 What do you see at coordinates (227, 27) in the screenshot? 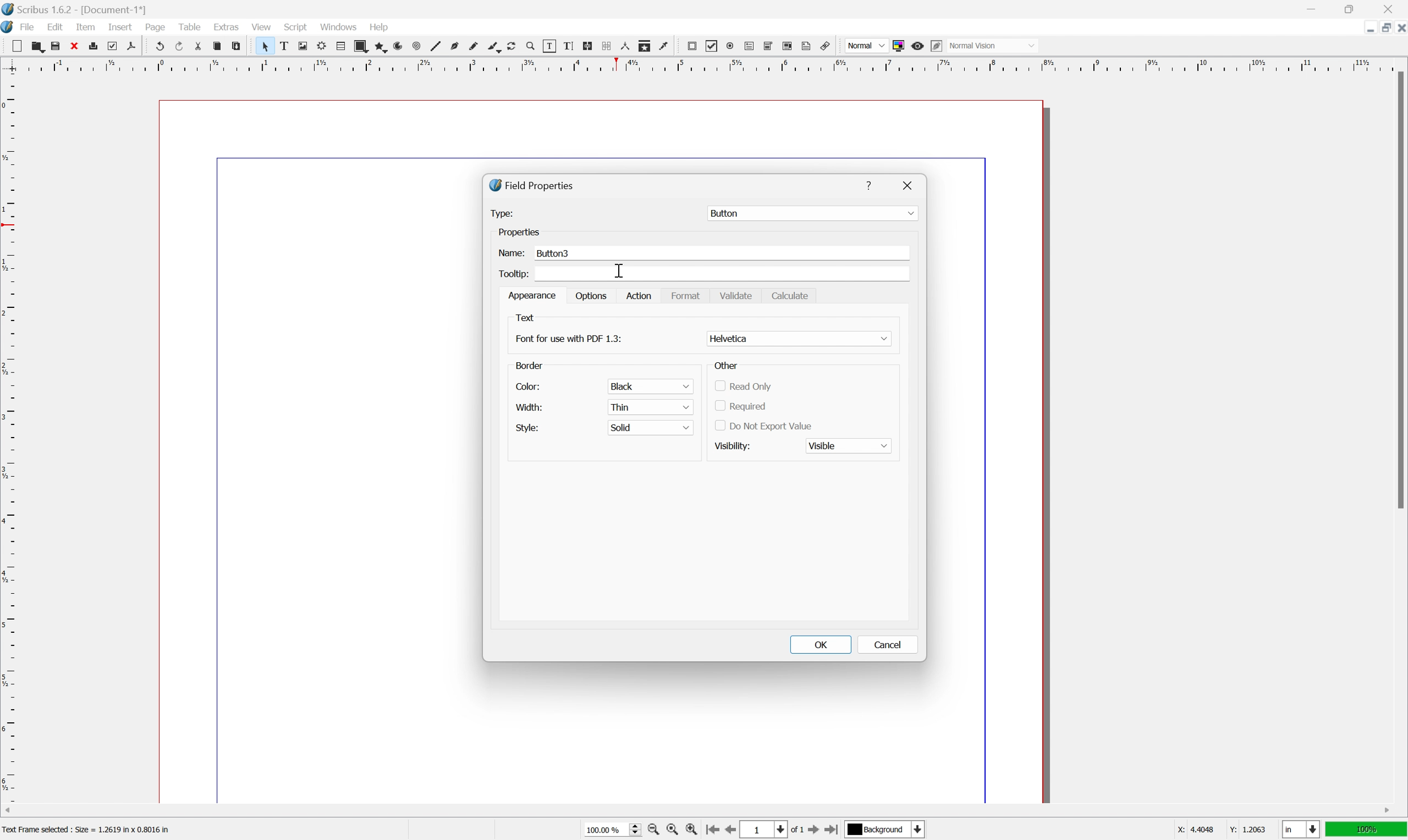
I see `extras` at bounding box center [227, 27].